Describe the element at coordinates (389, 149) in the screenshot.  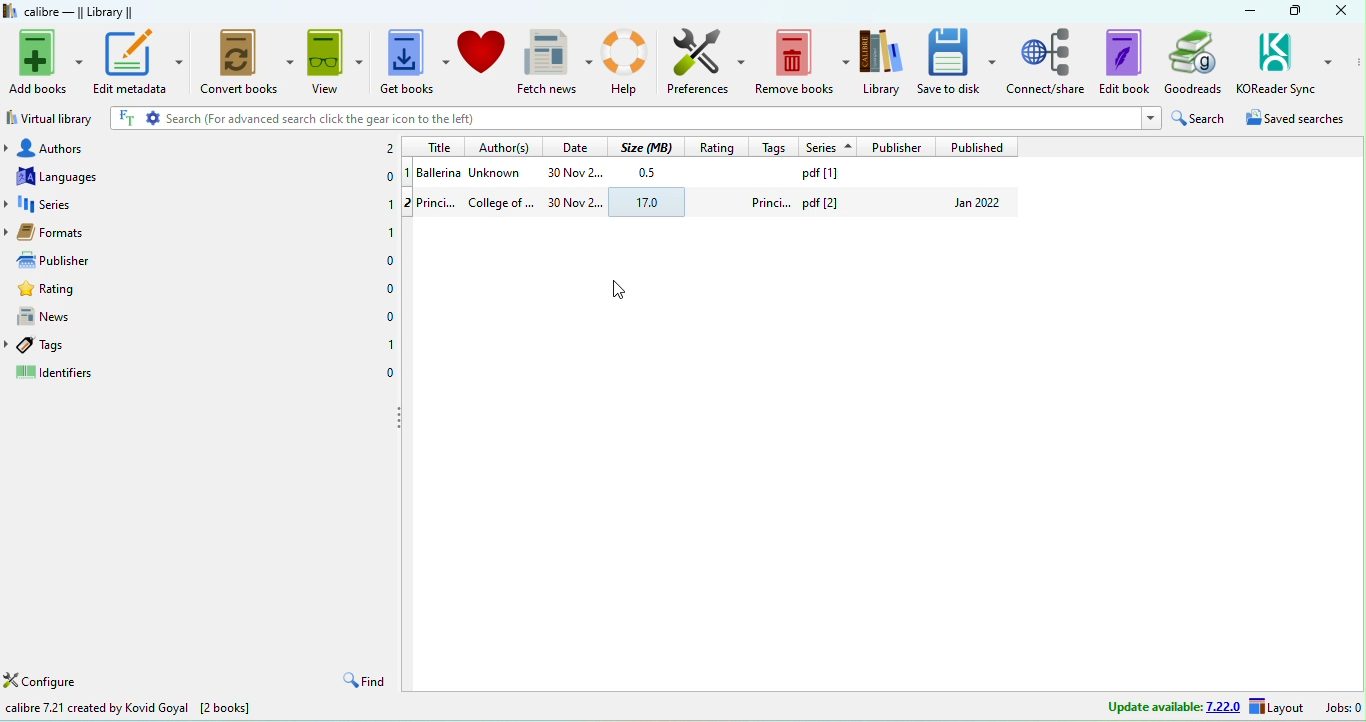
I see `2` at that location.